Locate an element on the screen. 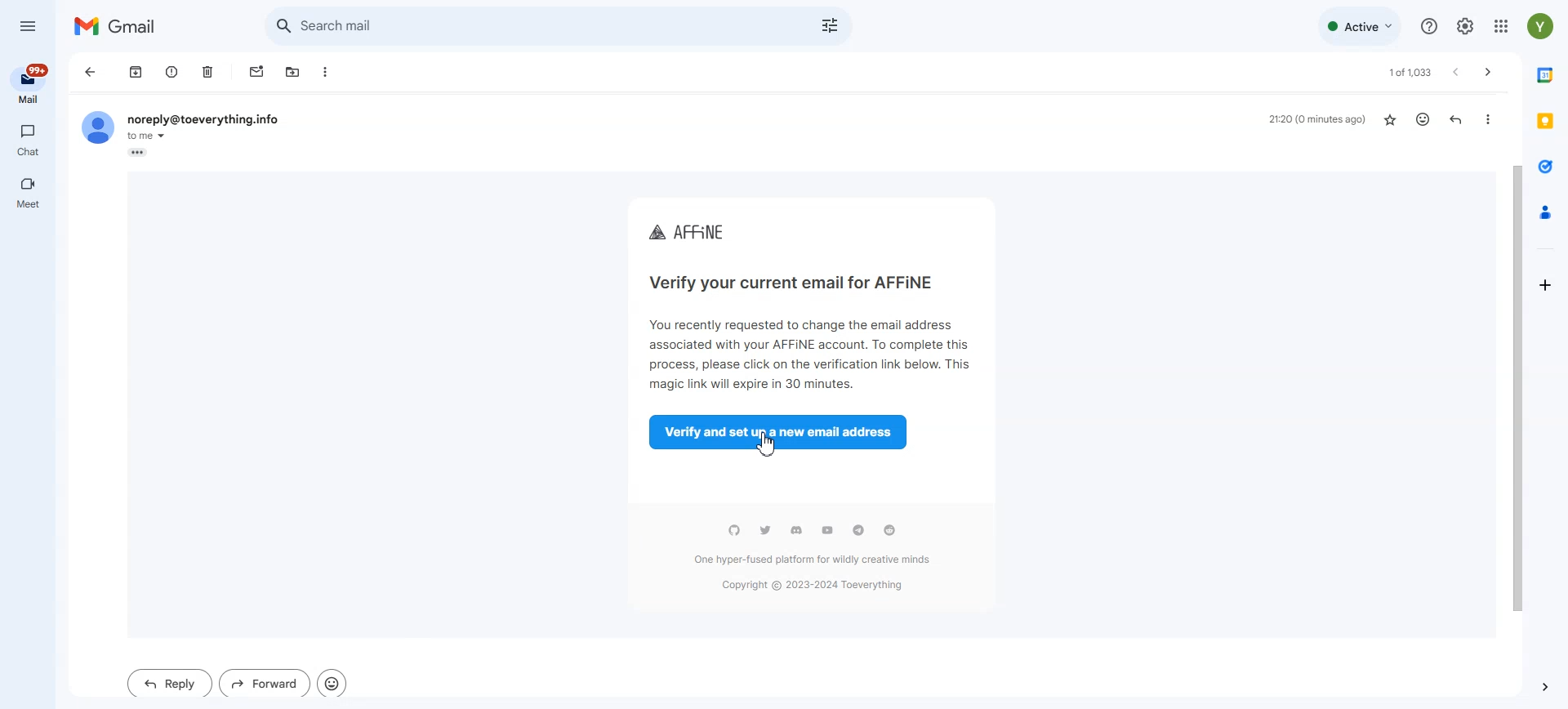  Status Active is located at coordinates (1358, 27).